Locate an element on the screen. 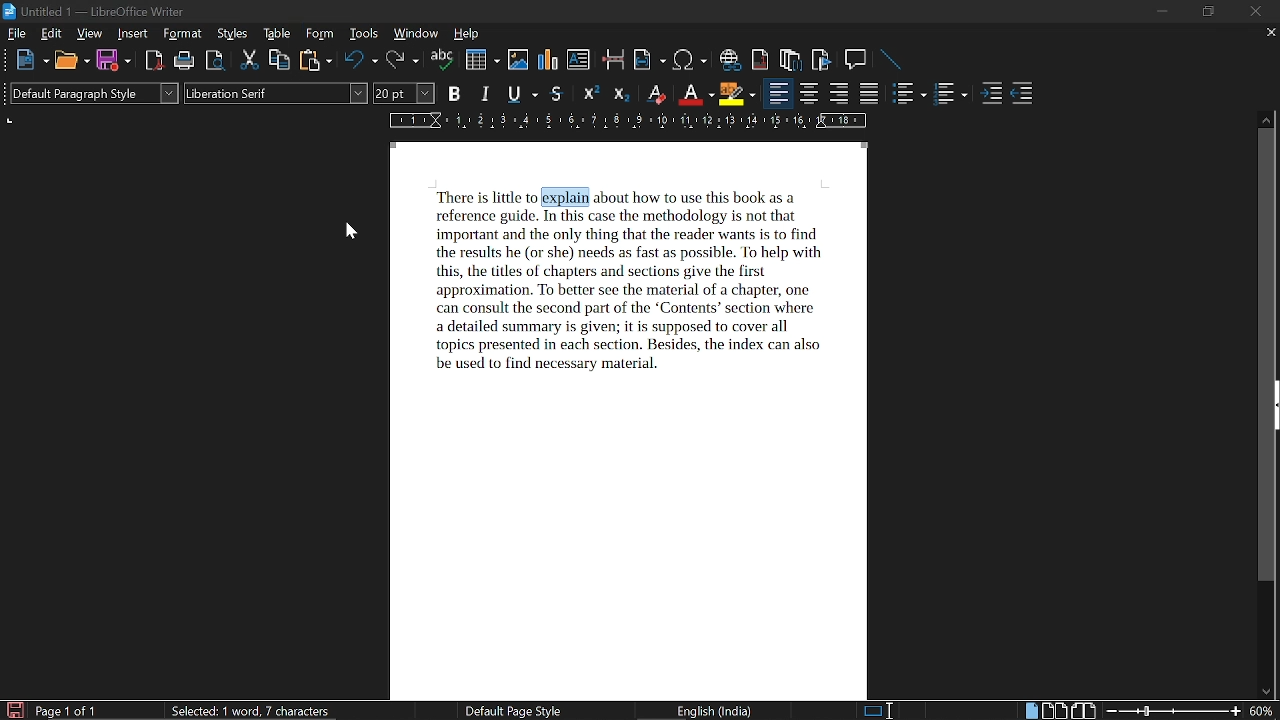  subscript is located at coordinates (621, 95).